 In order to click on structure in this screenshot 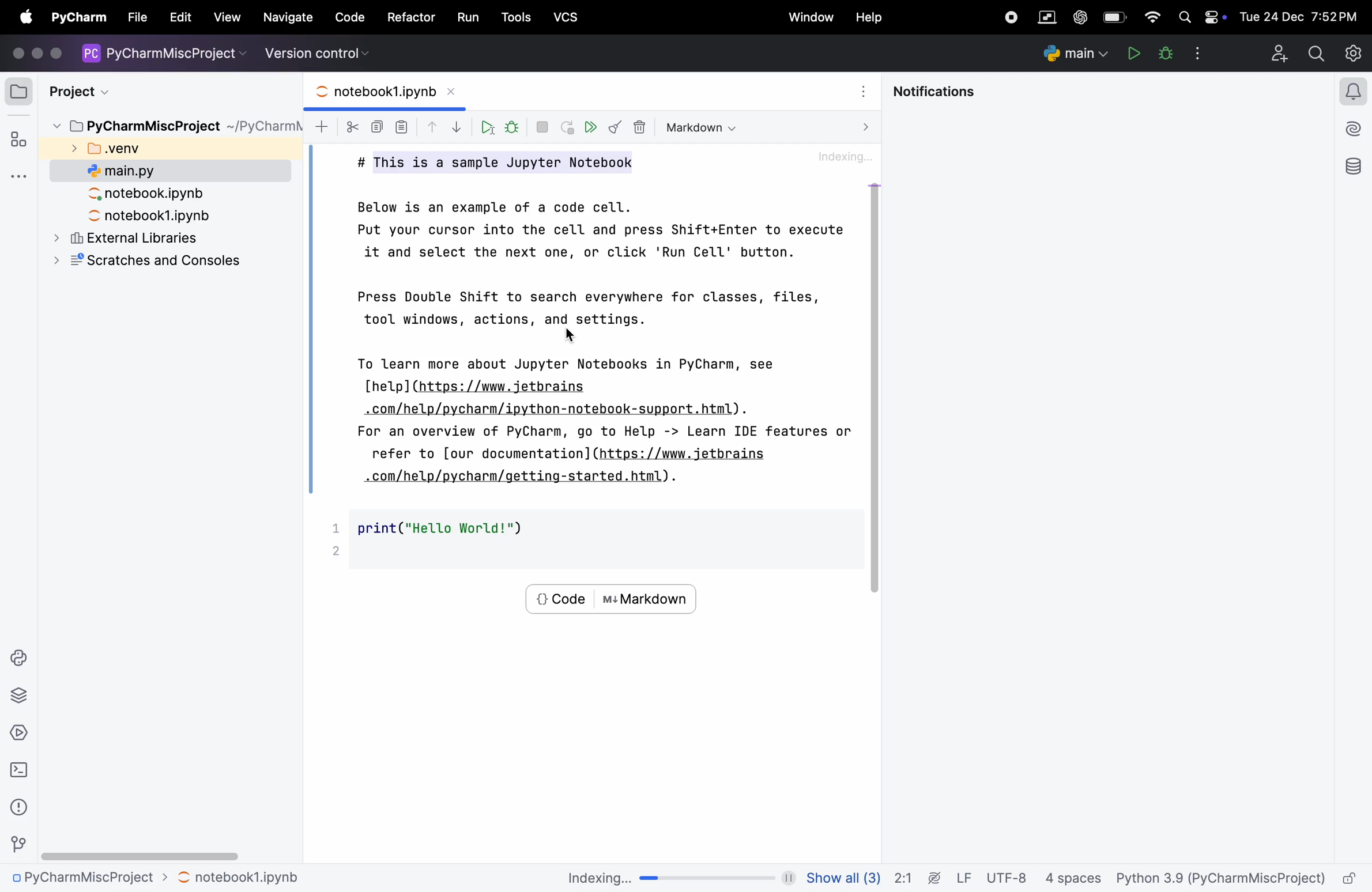, I will do `click(22, 139)`.